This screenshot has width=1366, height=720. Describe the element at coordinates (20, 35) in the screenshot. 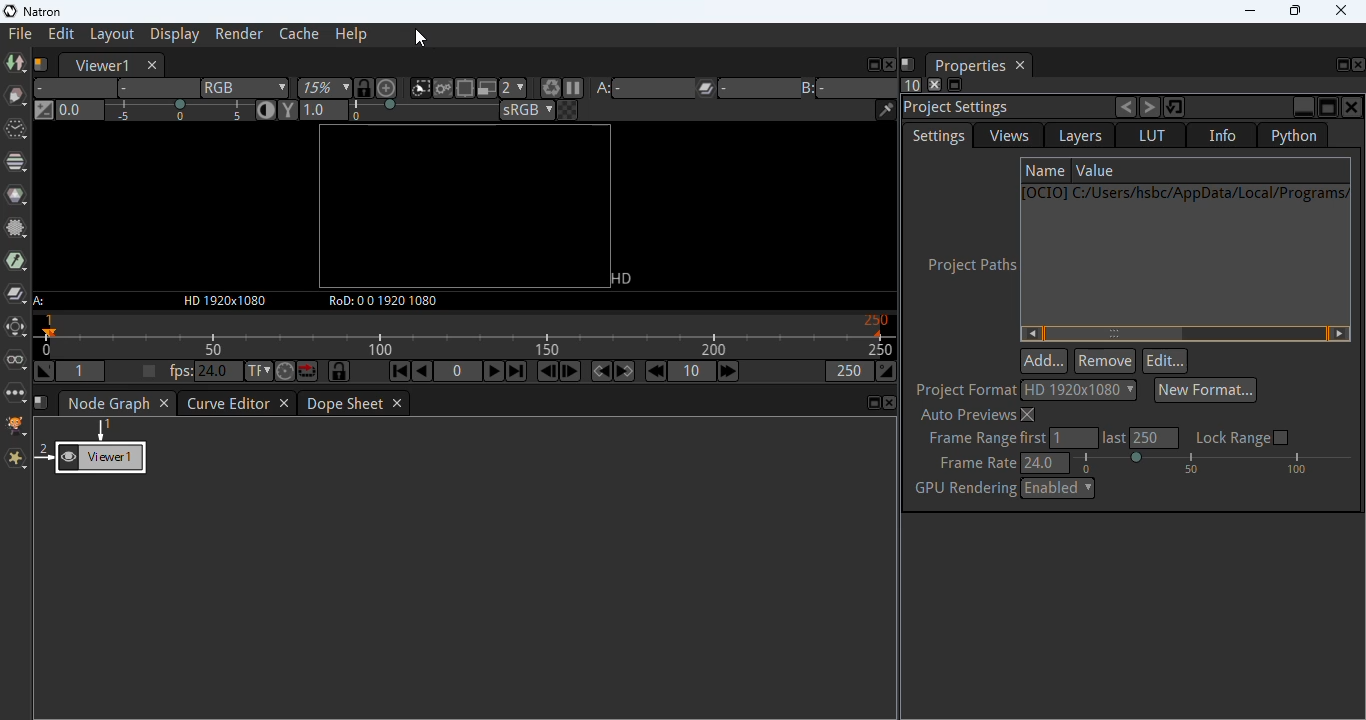

I see `file` at that location.